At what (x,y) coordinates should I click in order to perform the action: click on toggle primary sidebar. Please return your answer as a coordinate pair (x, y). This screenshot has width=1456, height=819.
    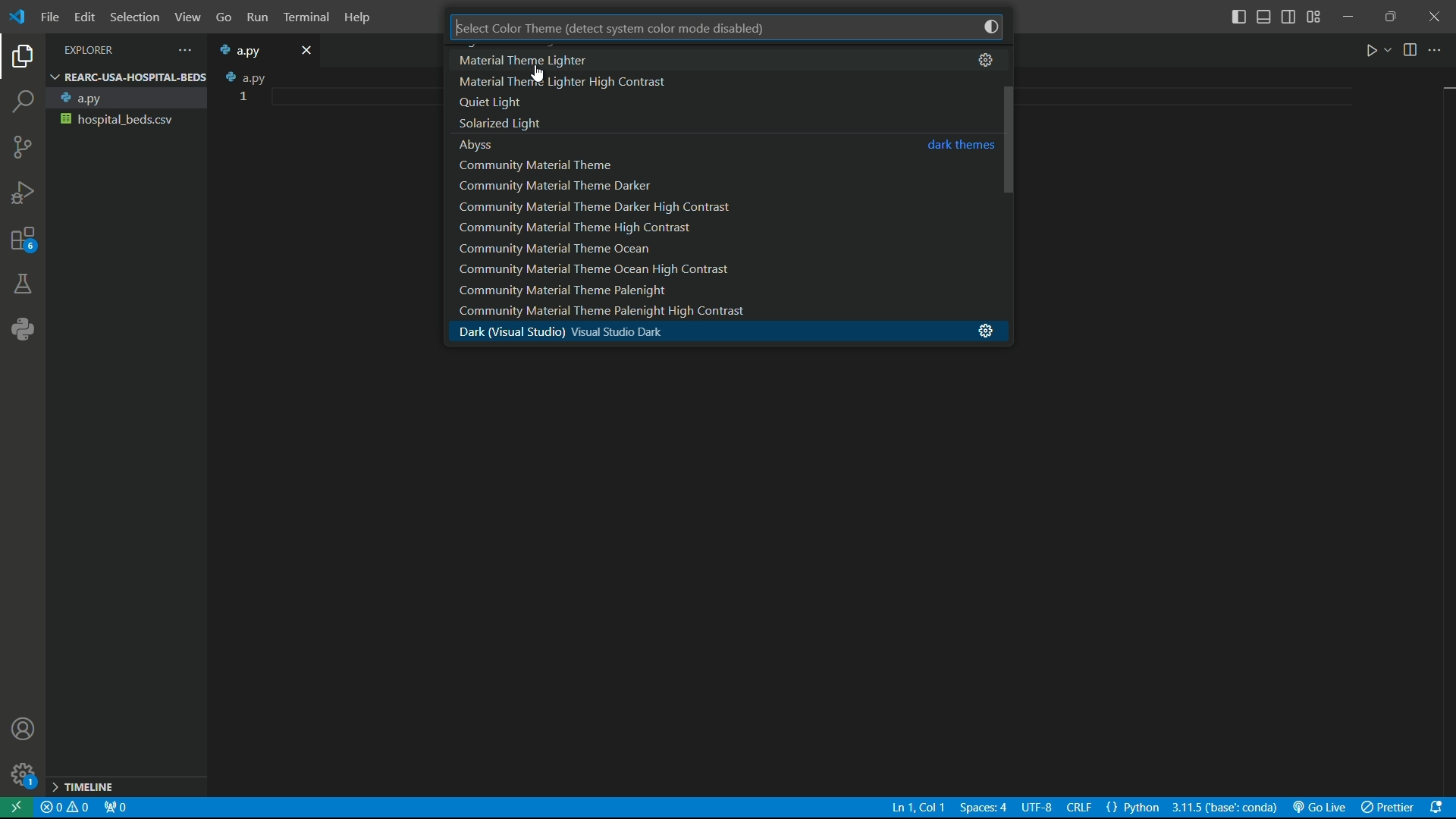
    Looking at the image, I should click on (1238, 18).